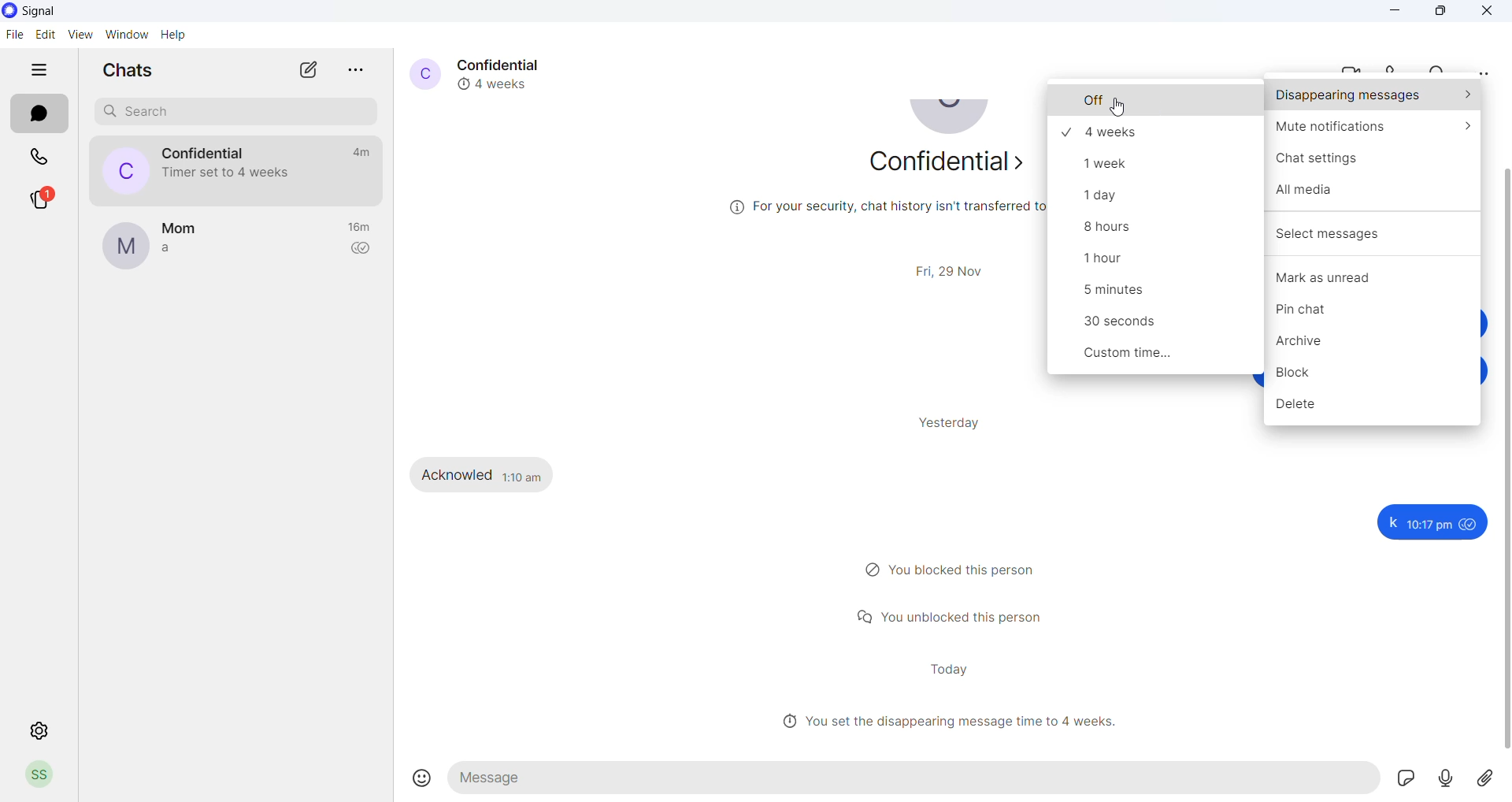 This screenshot has height=802, width=1512. Describe the element at coordinates (942, 166) in the screenshot. I see `about profile` at that location.